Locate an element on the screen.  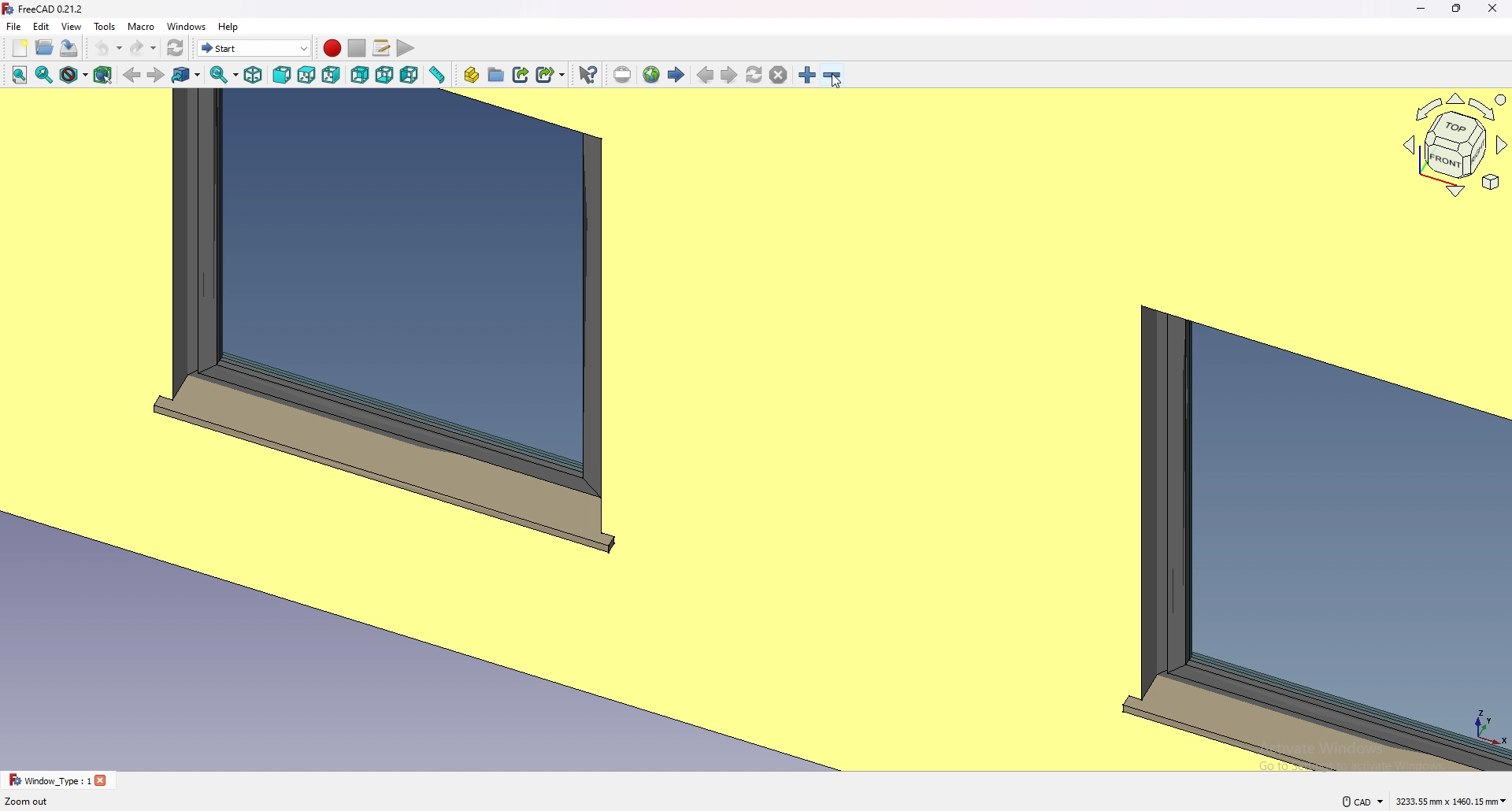
bounding box is located at coordinates (102, 76).